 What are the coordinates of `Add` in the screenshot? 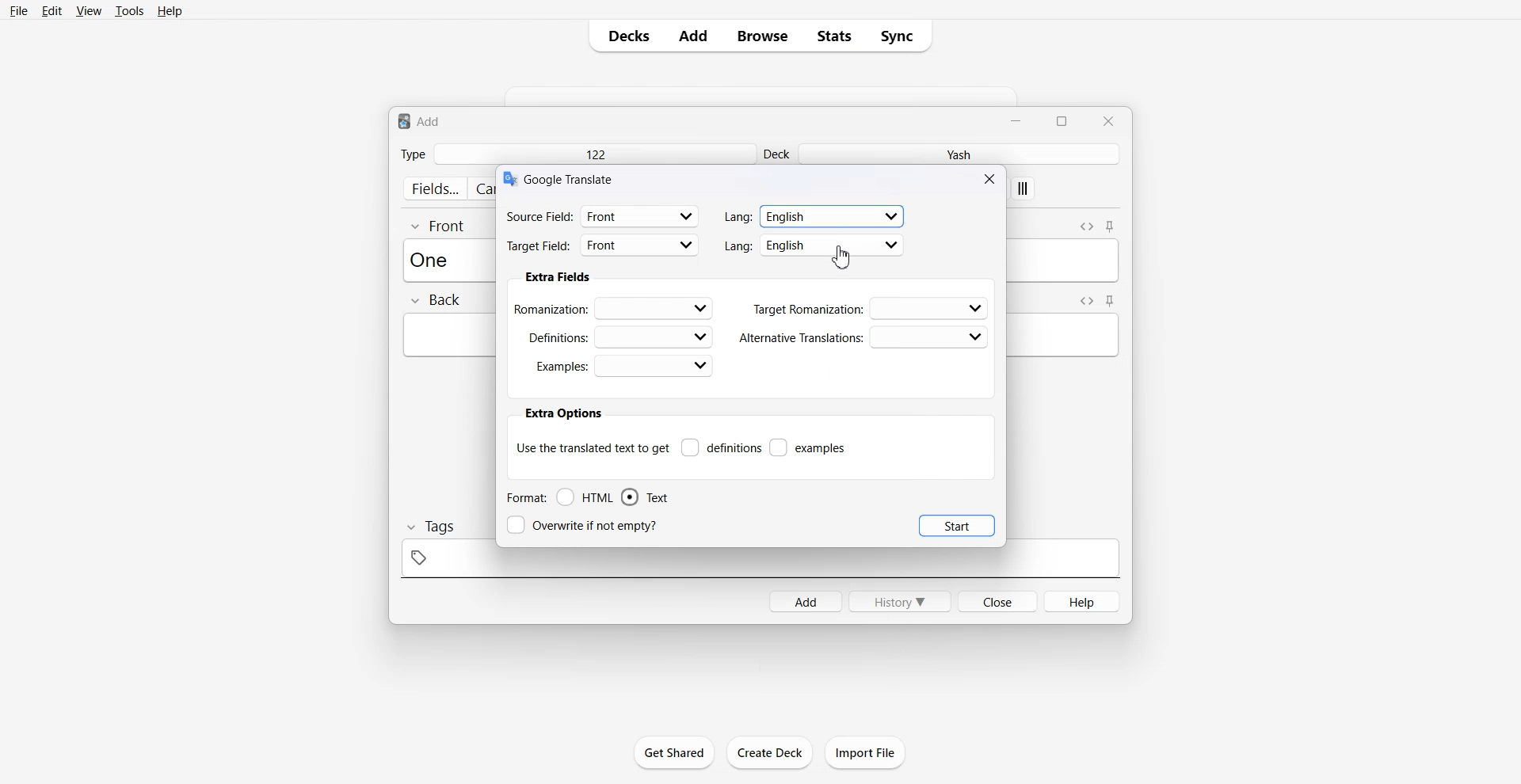 It's located at (805, 601).